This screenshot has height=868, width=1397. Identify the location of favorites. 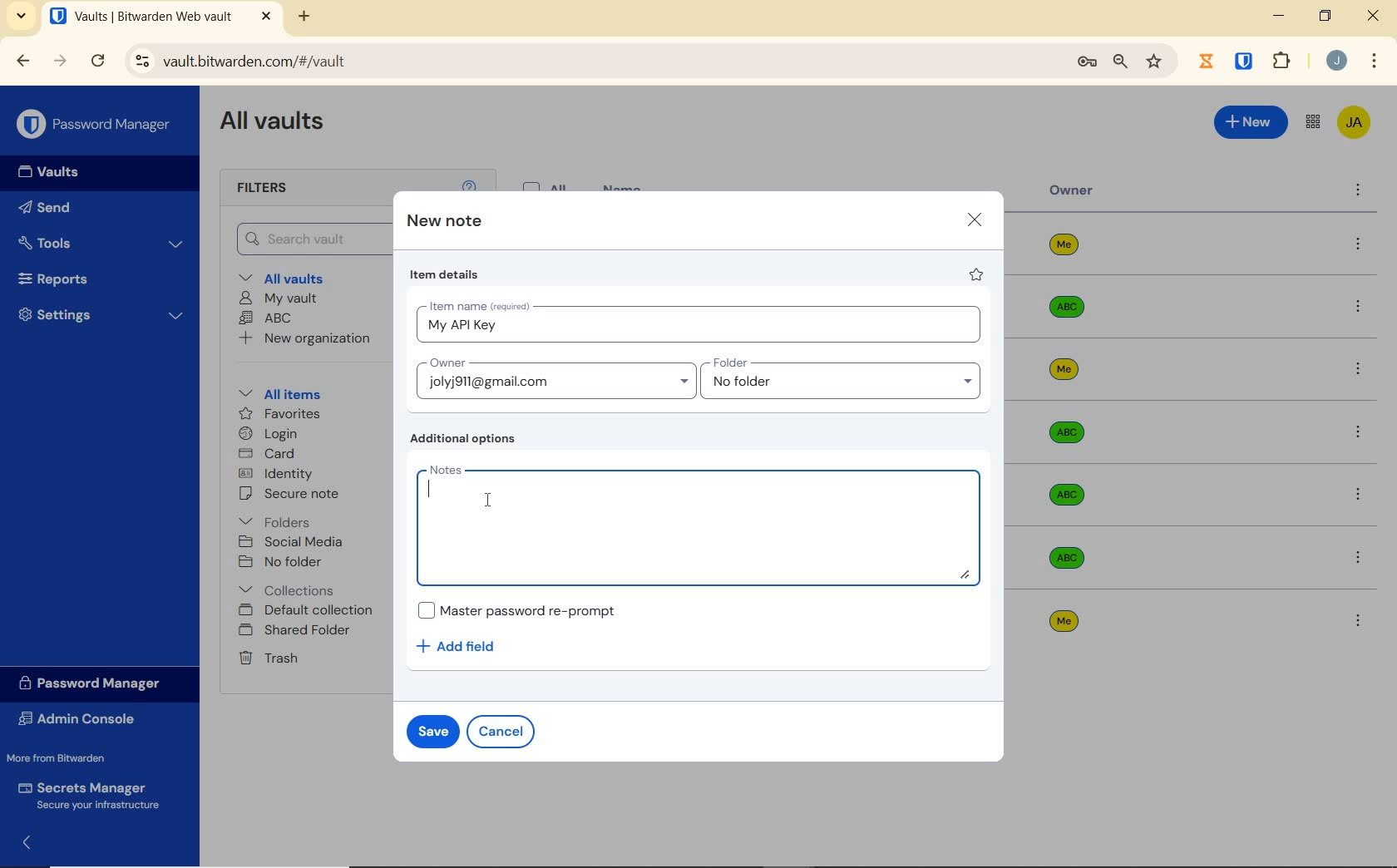
(277, 413).